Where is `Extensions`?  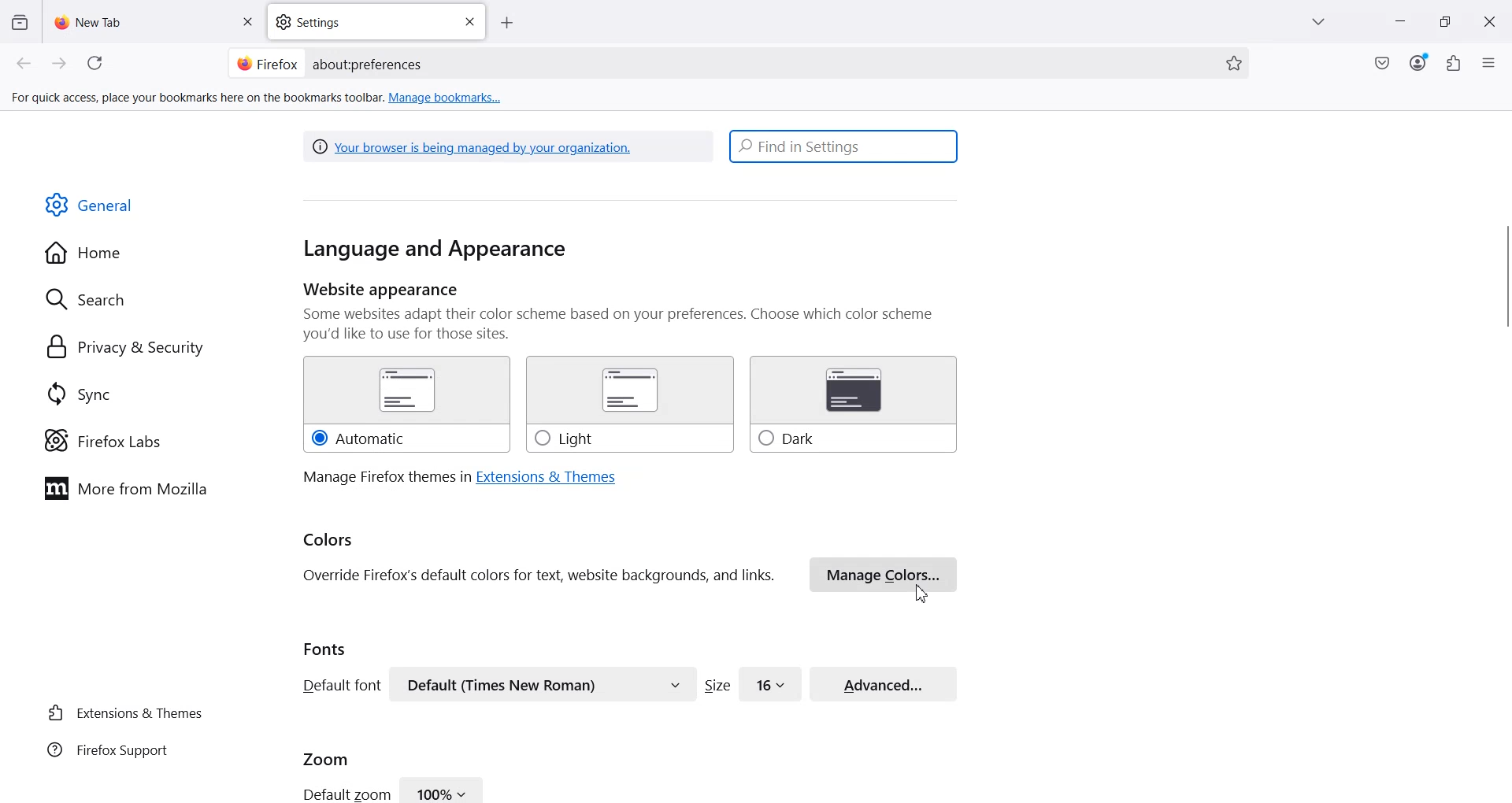 Extensions is located at coordinates (1455, 63).